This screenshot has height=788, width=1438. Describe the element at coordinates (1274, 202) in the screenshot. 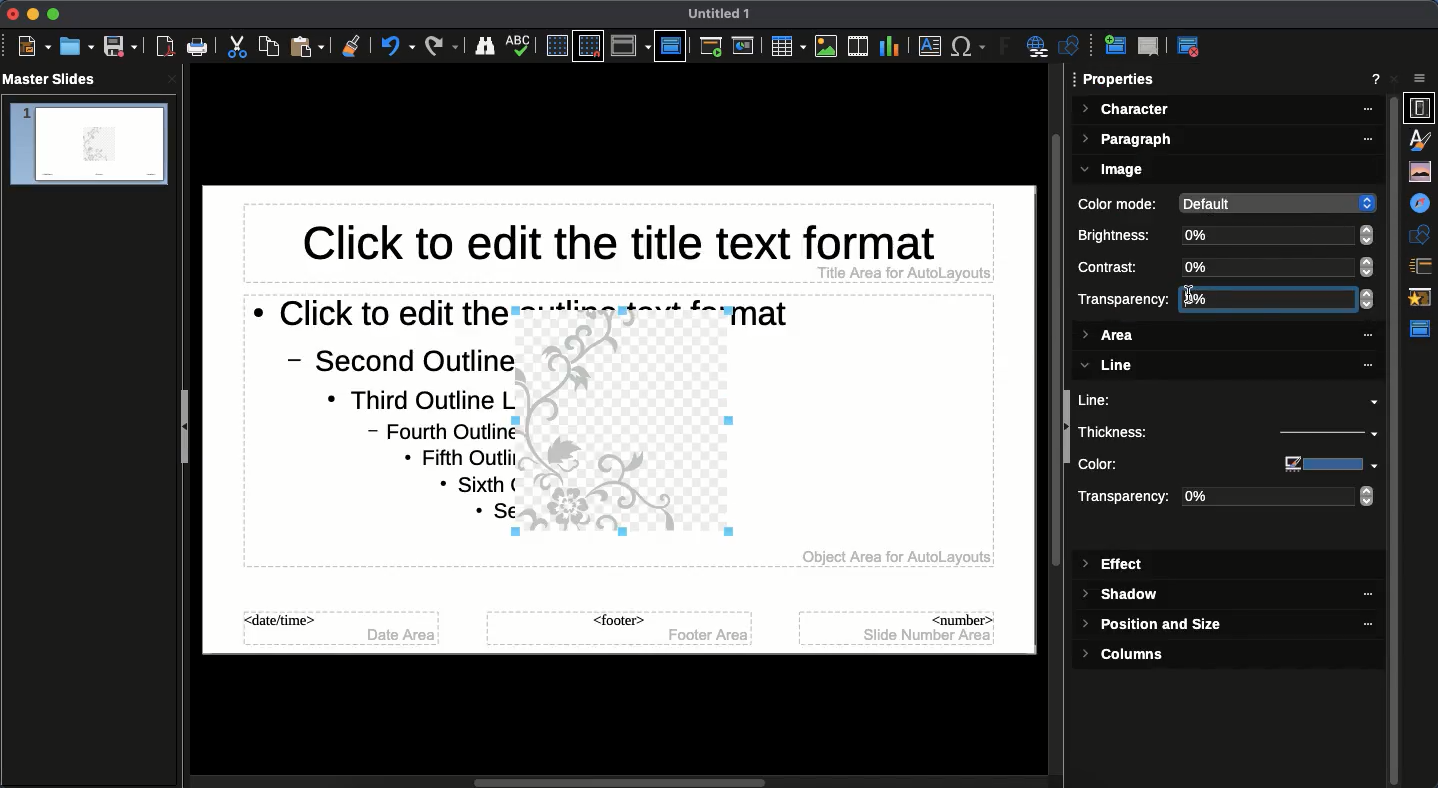

I see `default` at that location.